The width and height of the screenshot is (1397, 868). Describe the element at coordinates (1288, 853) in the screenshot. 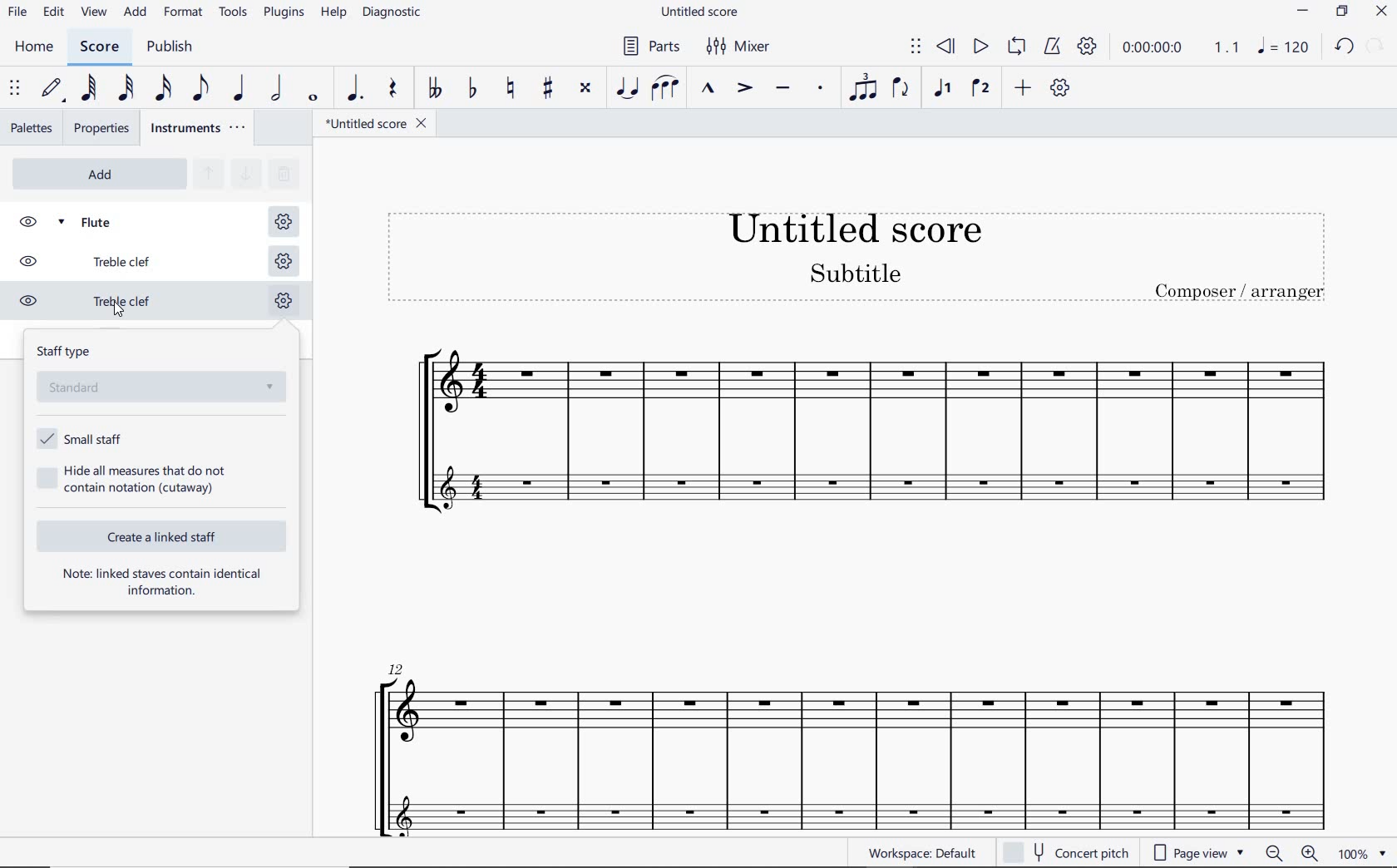

I see `zoom in or zoom out` at that location.